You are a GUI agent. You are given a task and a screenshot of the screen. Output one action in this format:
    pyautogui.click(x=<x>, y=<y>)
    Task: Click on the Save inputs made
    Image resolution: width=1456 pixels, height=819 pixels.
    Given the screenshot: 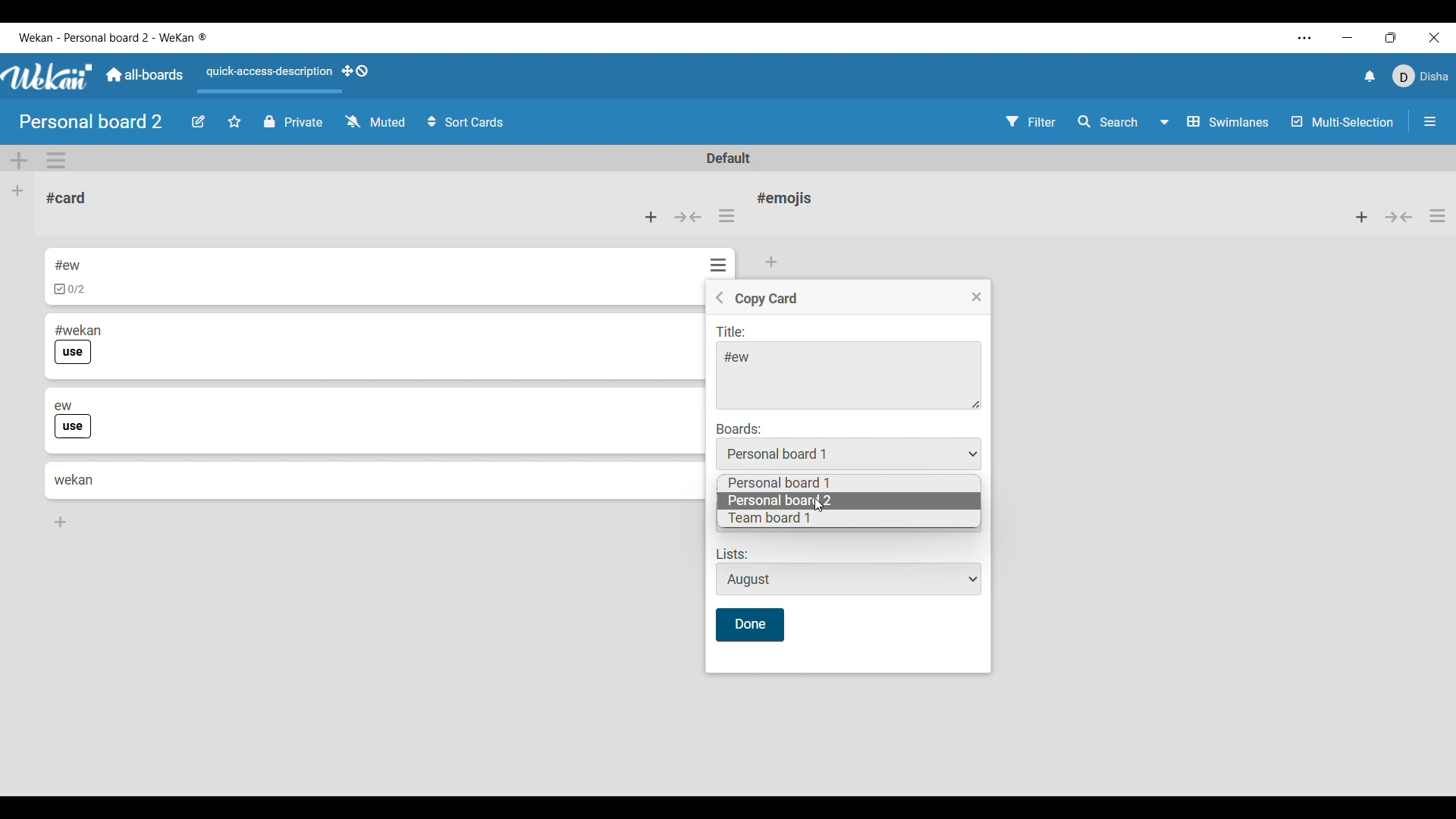 What is the action you would take?
    pyautogui.click(x=749, y=625)
    